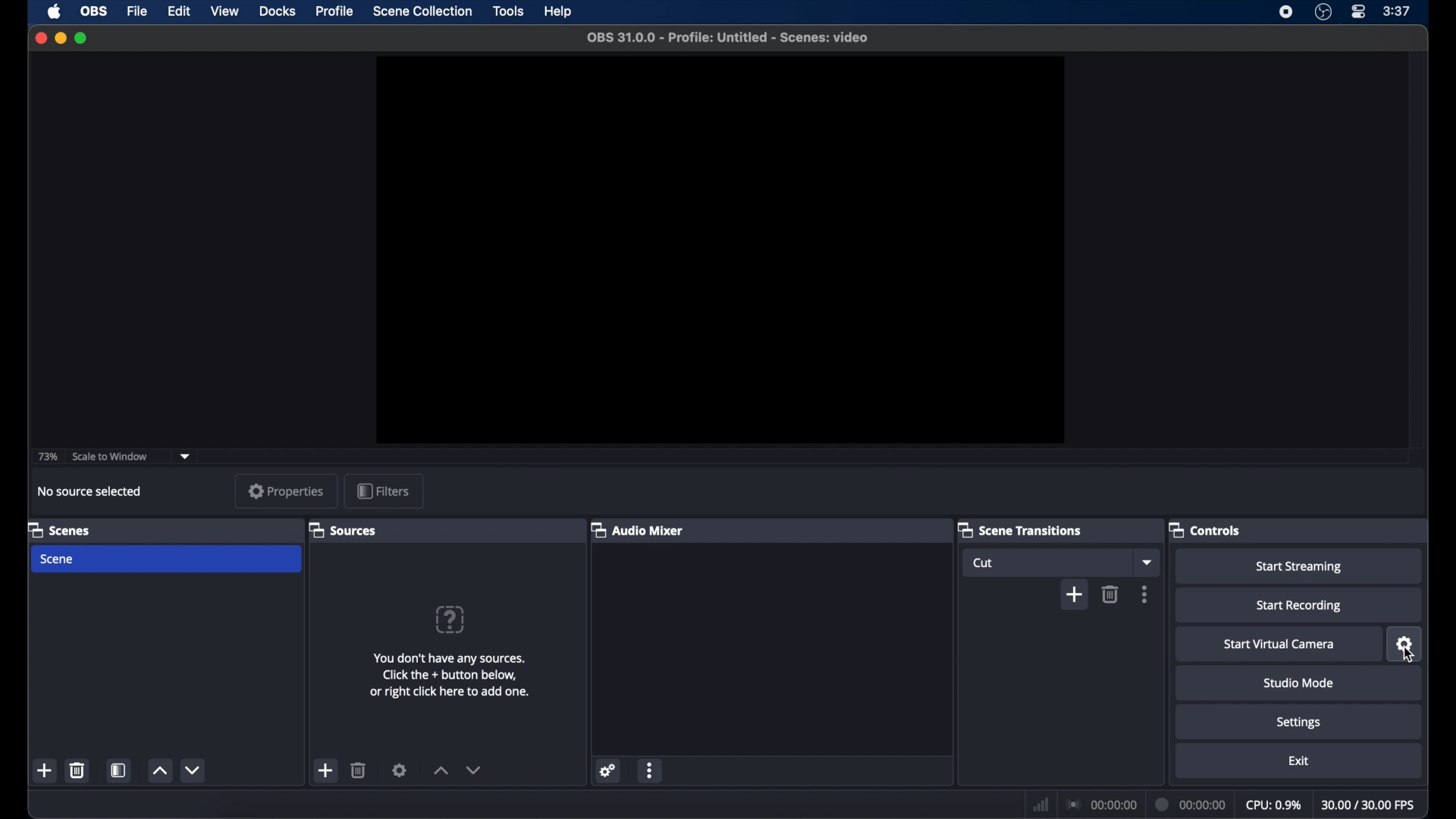  Describe the element at coordinates (94, 491) in the screenshot. I see `no source selected` at that location.